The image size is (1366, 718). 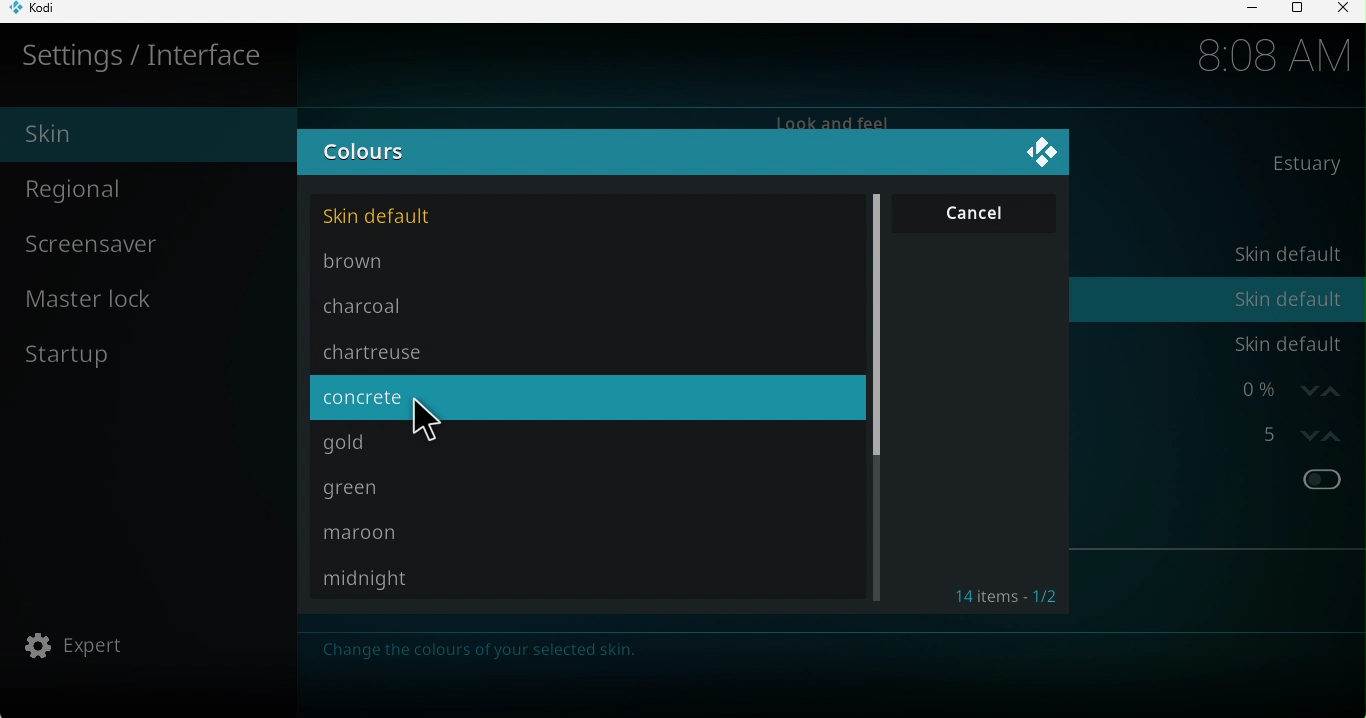 I want to click on Look and feel, so click(x=813, y=120).